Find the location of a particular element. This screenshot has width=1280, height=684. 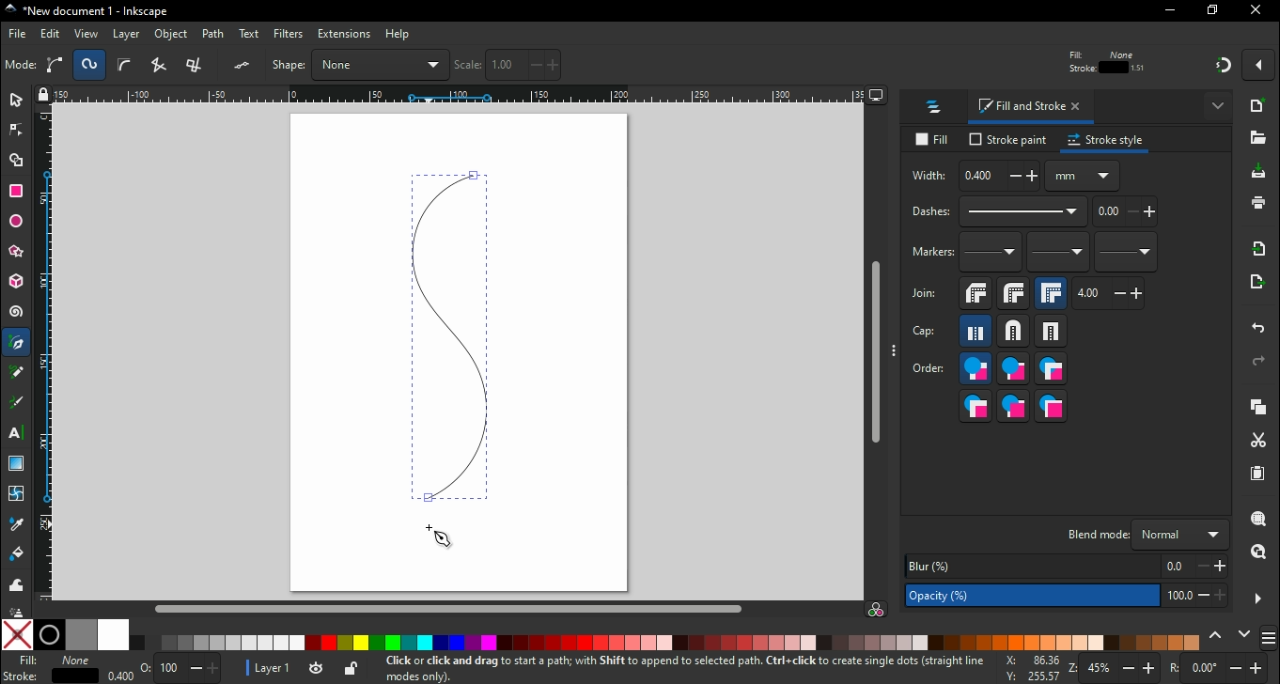

stroke, fill, markers is located at coordinates (1012, 372).